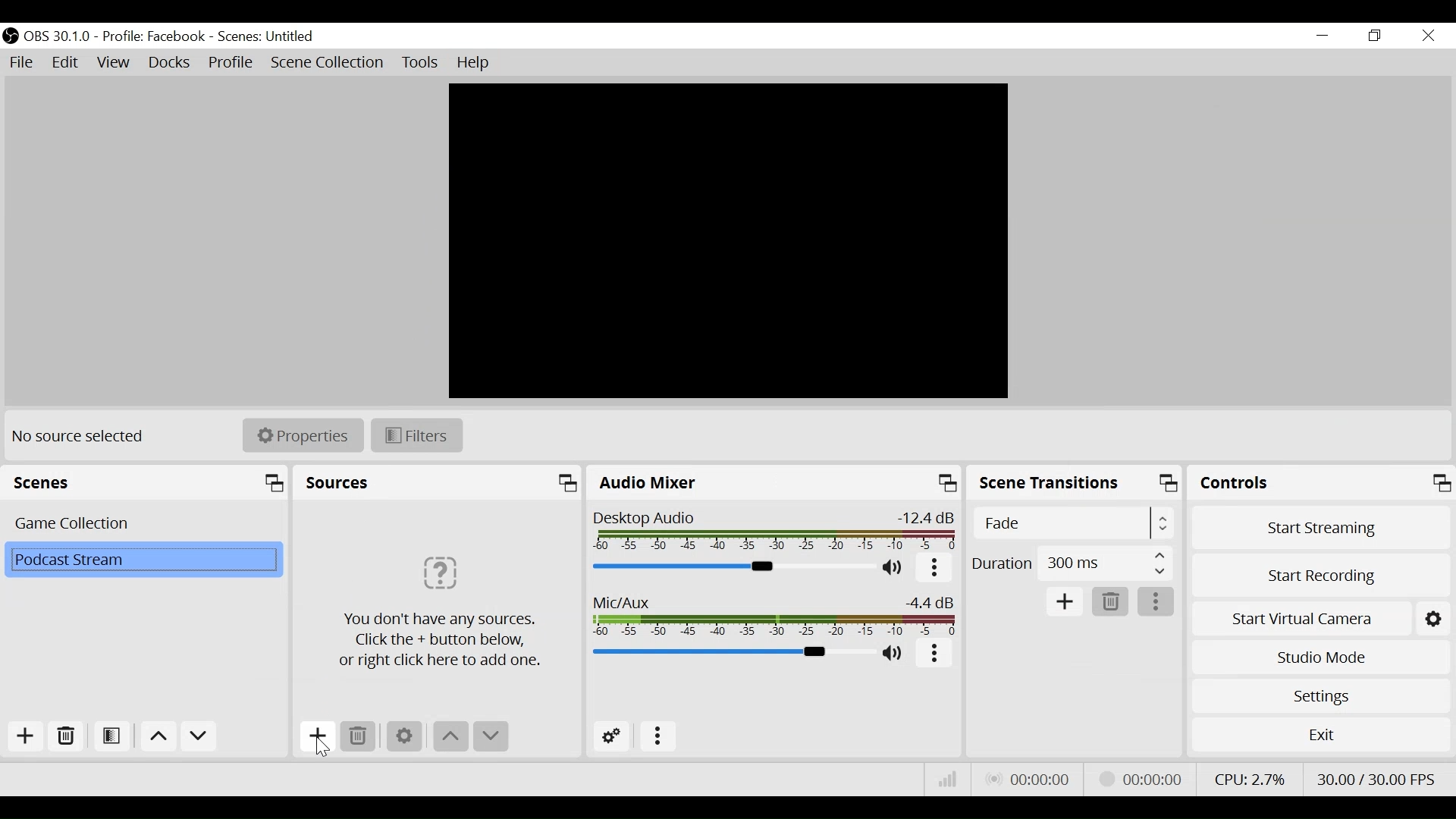 The width and height of the screenshot is (1456, 819). Describe the element at coordinates (935, 657) in the screenshot. I see `More options` at that location.